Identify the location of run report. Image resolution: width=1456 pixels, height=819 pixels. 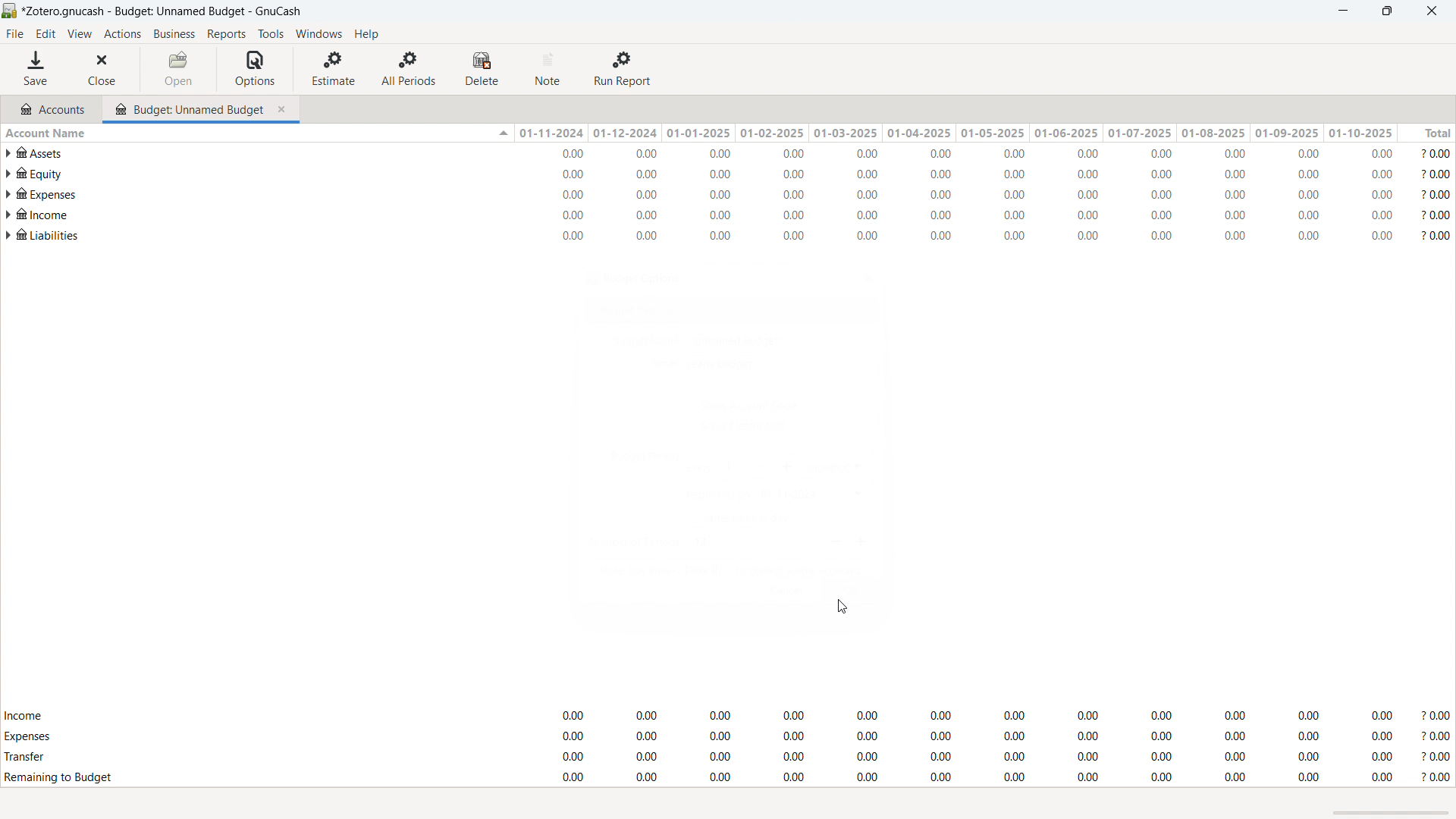
(624, 69).